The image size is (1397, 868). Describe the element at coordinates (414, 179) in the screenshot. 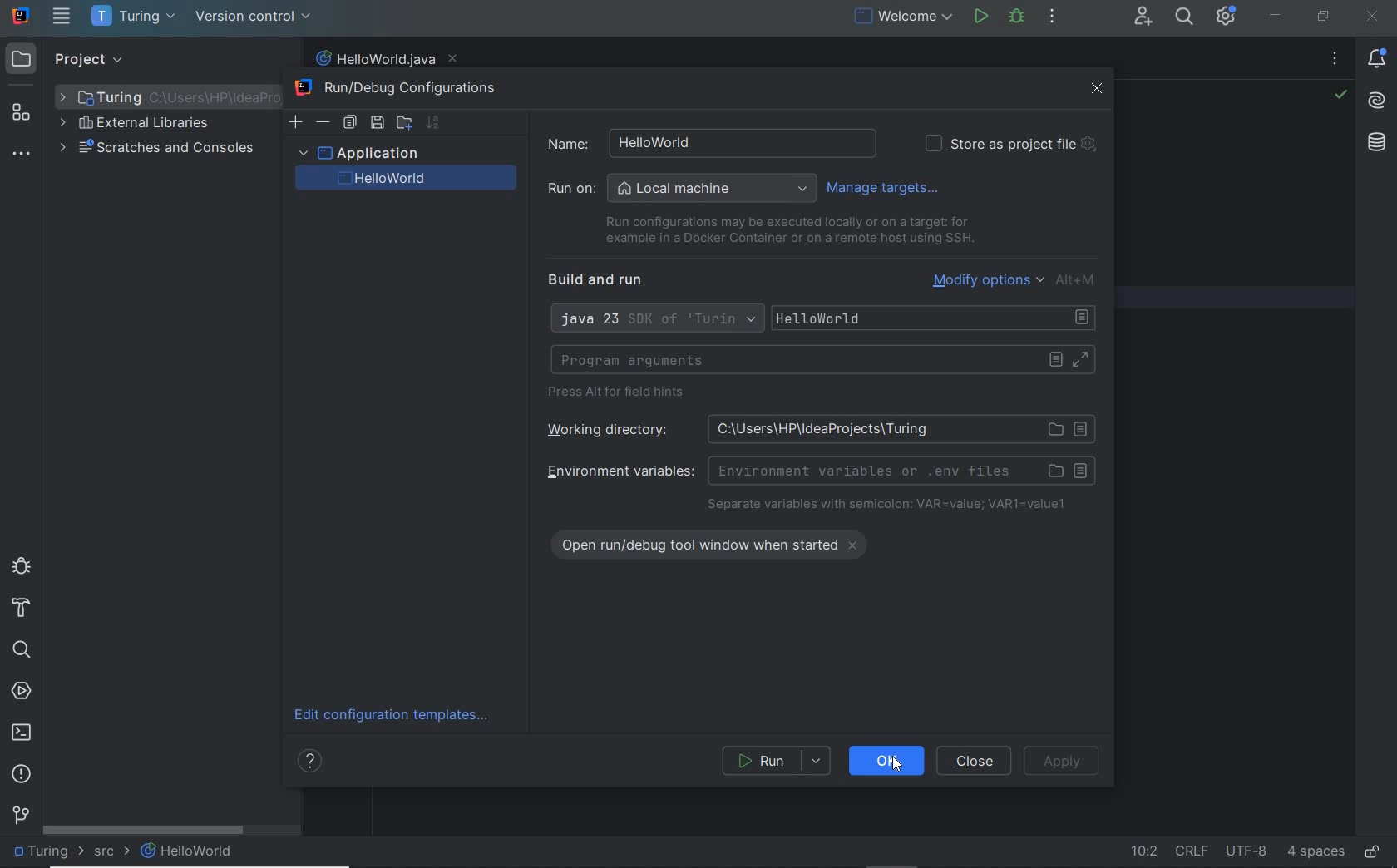

I see `HelloWorld` at that location.